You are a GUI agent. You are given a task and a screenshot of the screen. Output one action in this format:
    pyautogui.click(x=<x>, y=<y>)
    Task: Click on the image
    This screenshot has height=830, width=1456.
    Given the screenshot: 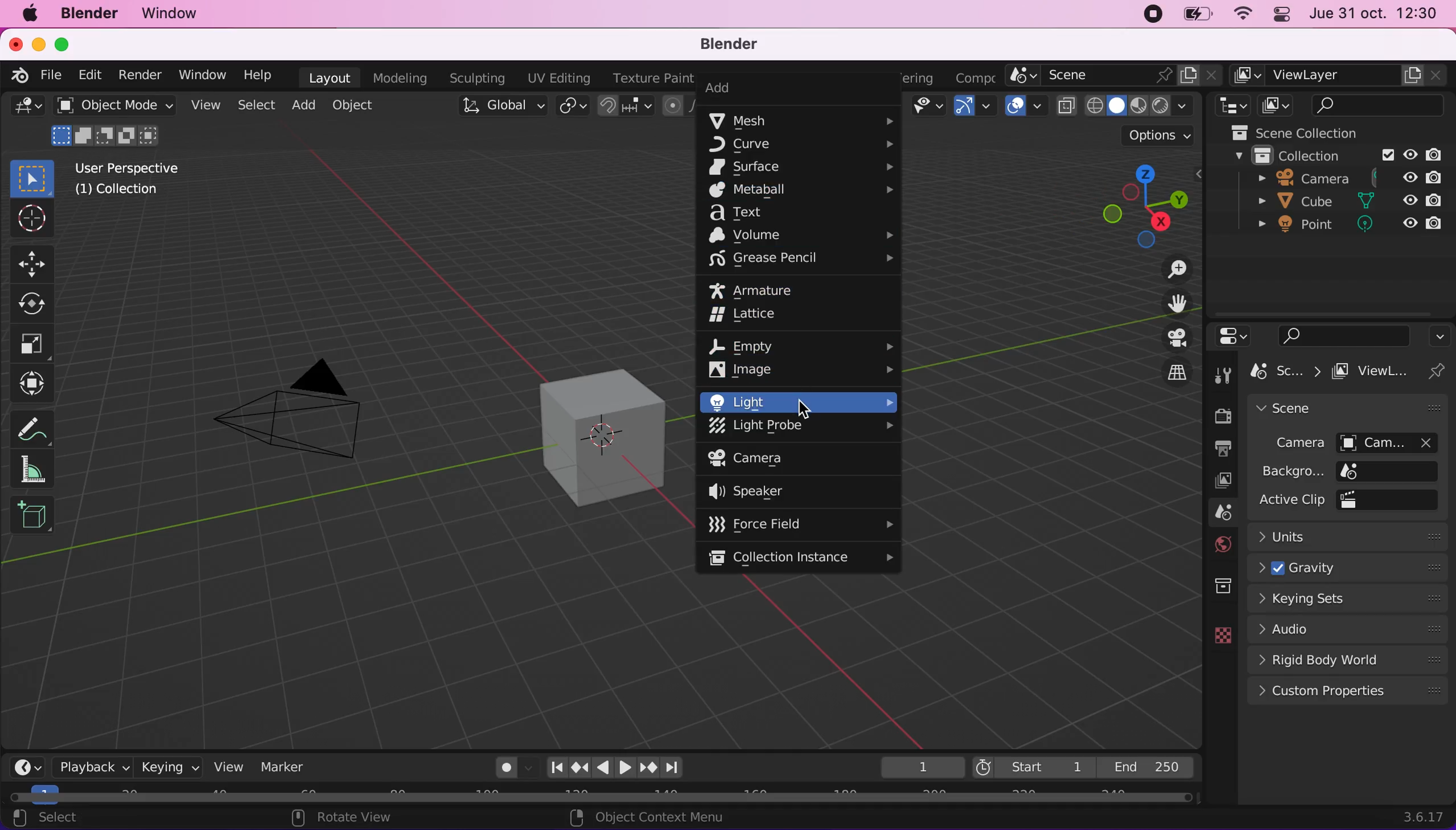 What is the action you would take?
    pyautogui.click(x=799, y=369)
    